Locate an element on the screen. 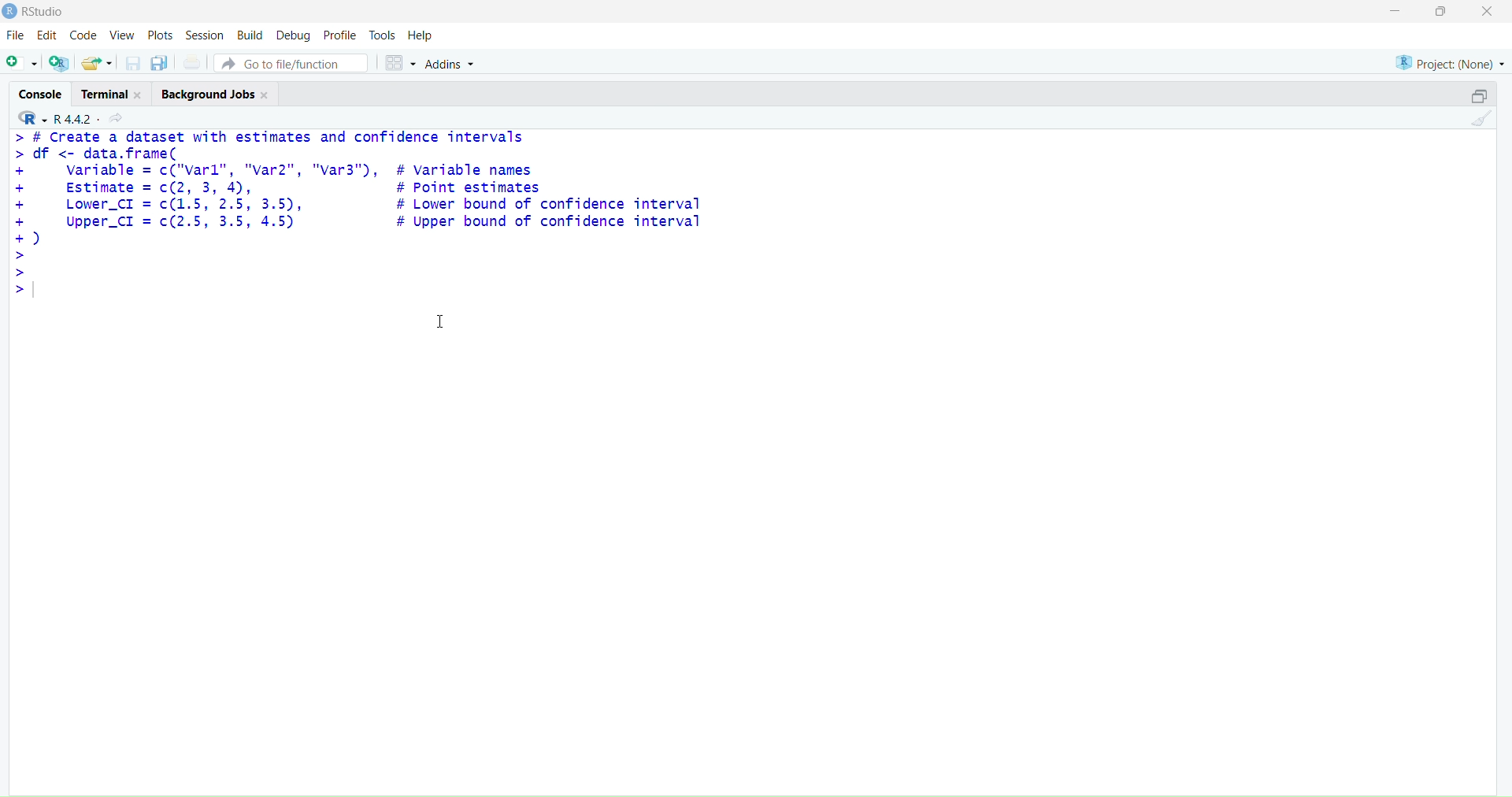 The height and width of the screenshot is (797, 1512). maximiz is located at coordinates (1440, 12).